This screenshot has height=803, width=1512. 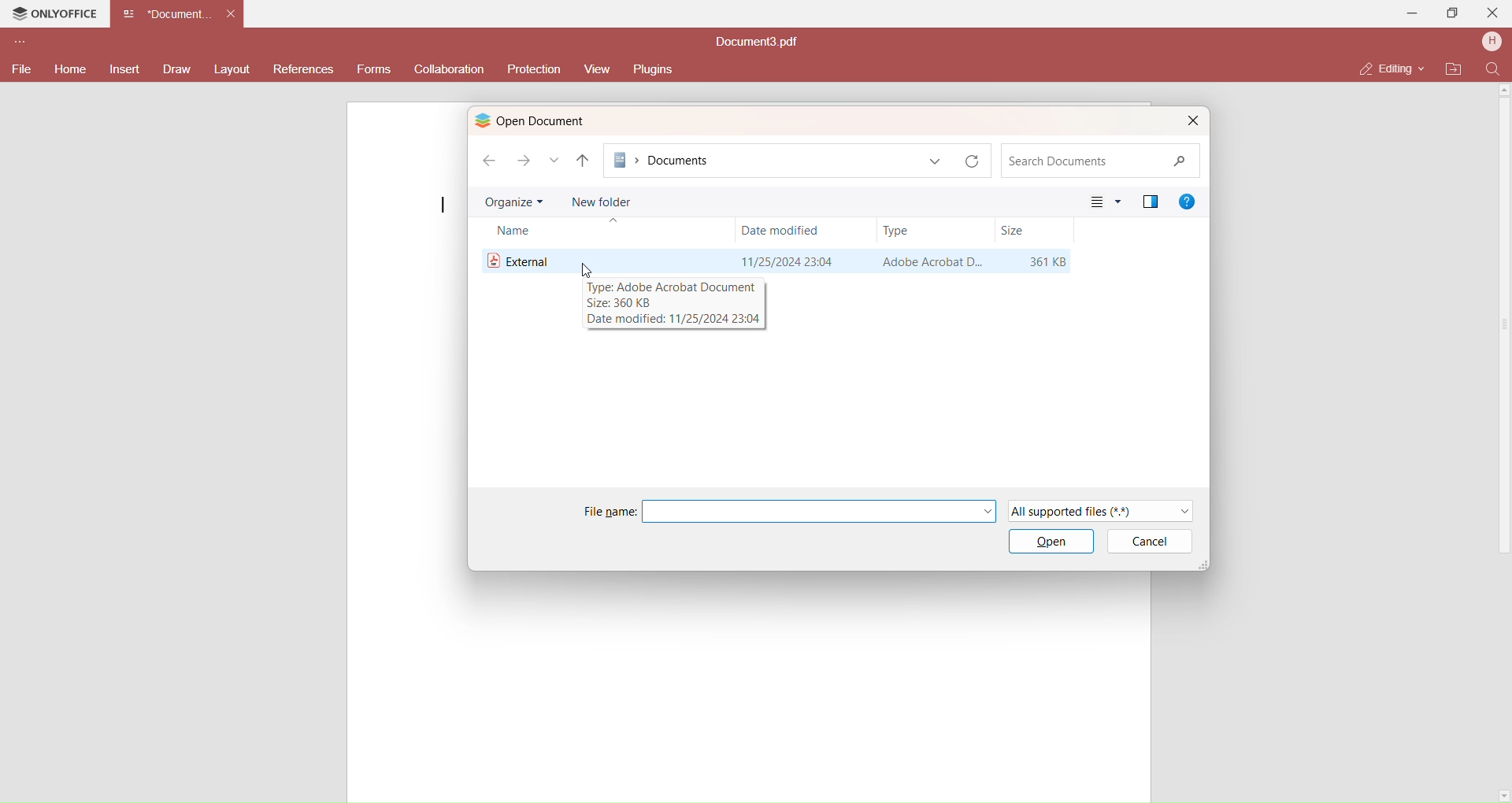 What do you see at coordinates (1509, 445) in the screenshot?
I see `Scroller` at bounding box center [1509, 445].